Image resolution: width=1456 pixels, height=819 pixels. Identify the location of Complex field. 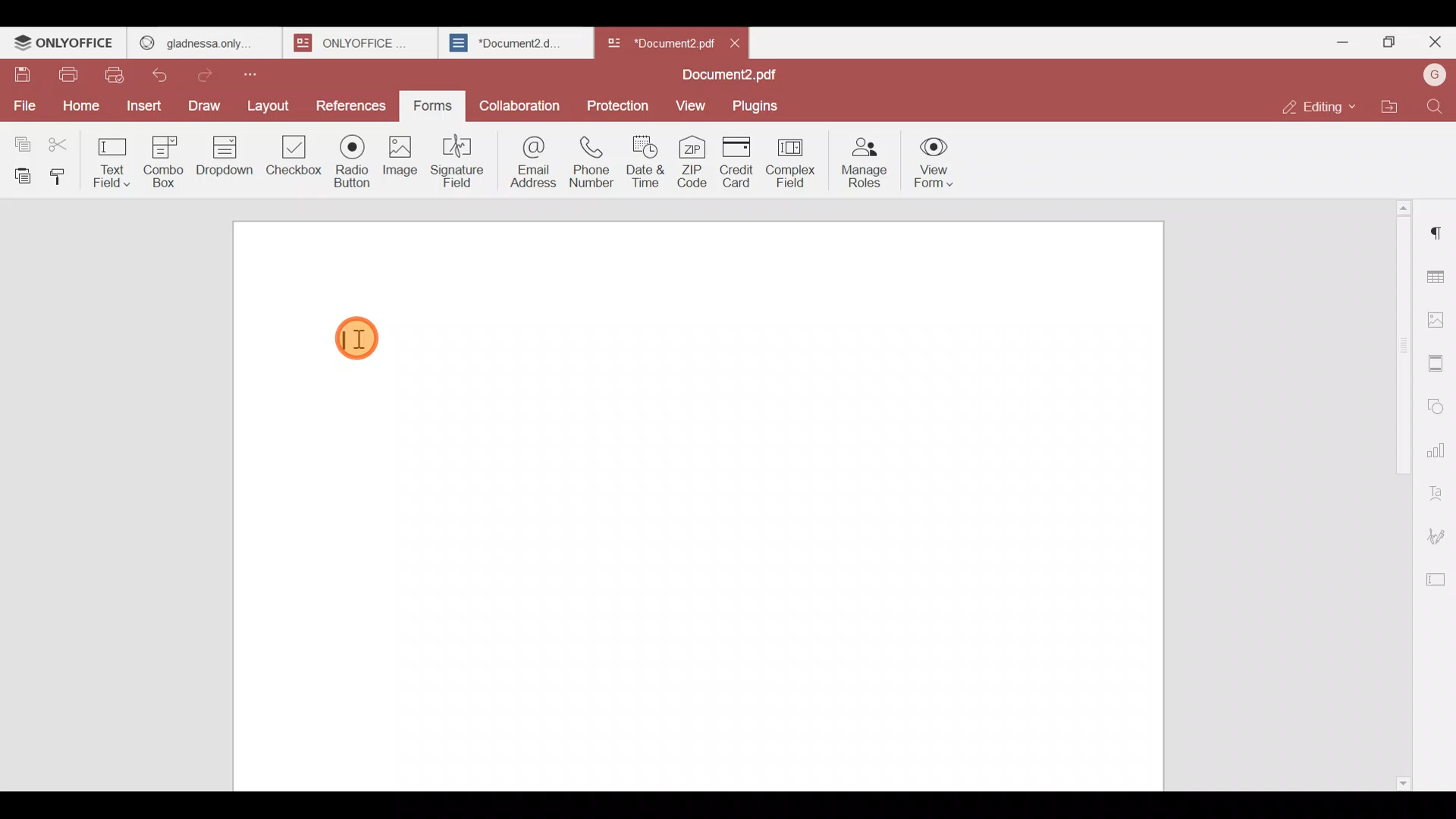
(796, 160).